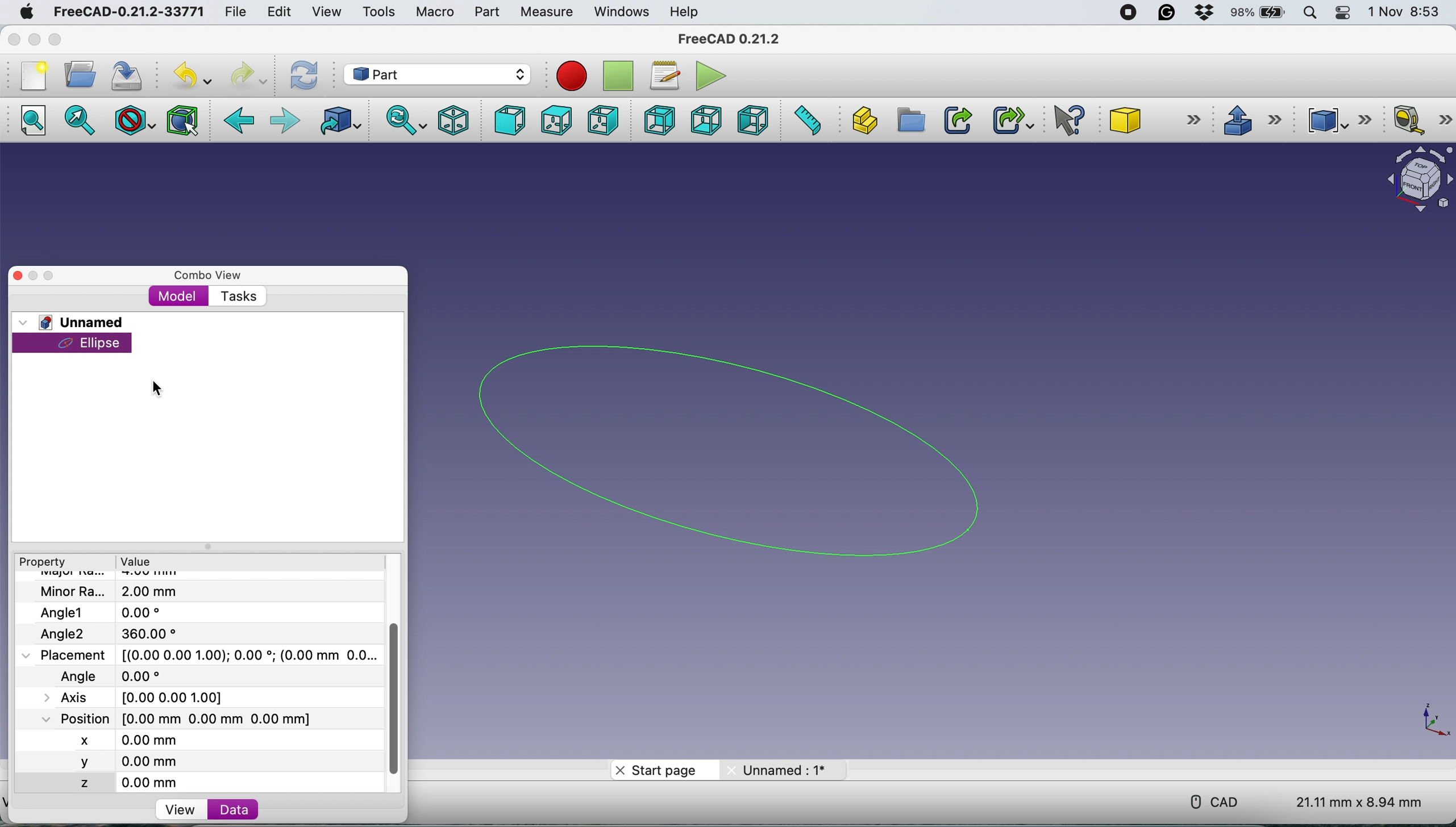 Image resolution: width=1456 pixels, height=827 pixels. What do you see at coordinates (284, 120) in the screenshot?
I see `foward` at bounding box center [284, 120].